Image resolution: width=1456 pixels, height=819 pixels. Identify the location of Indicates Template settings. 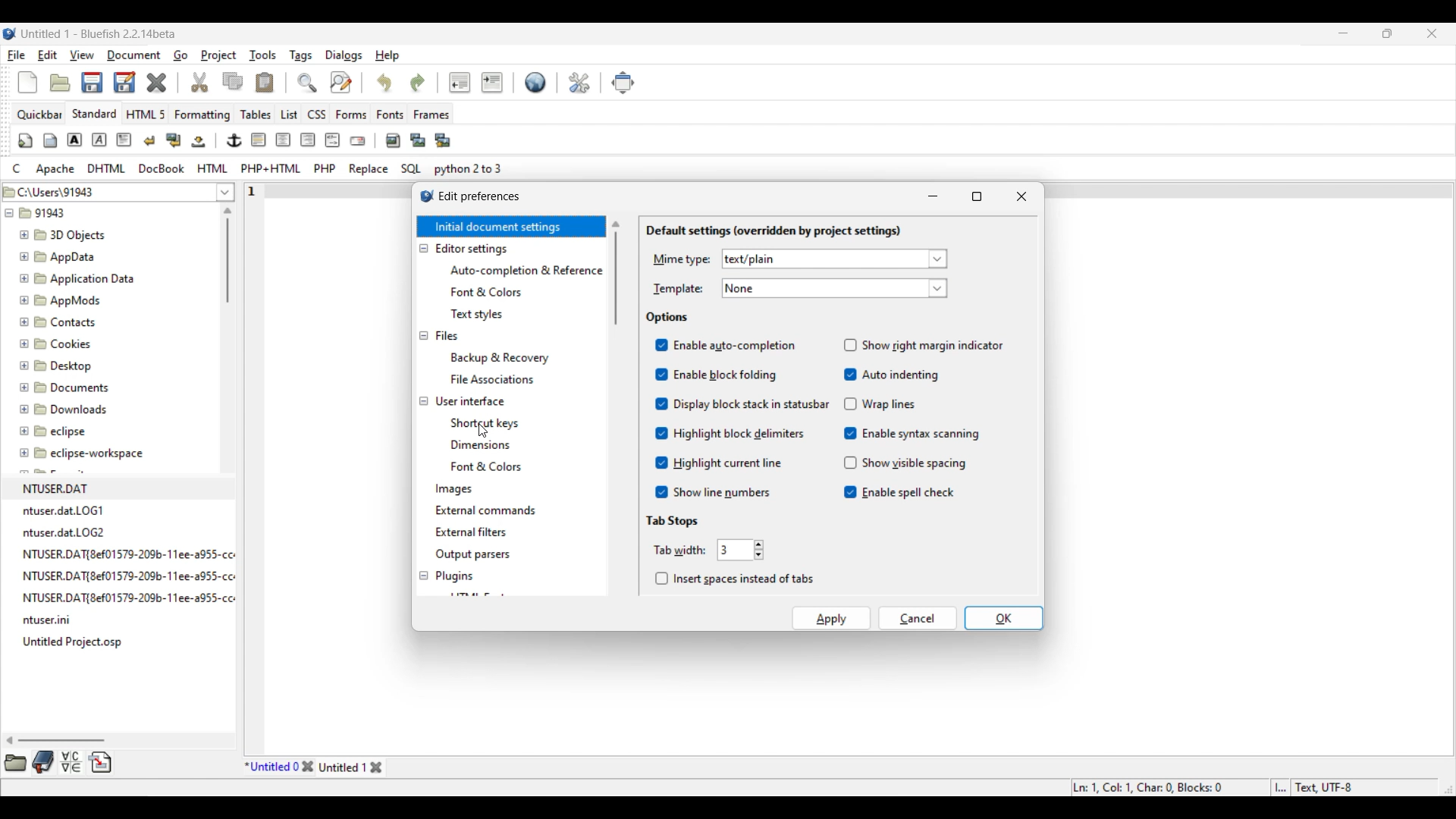
(678, 290).